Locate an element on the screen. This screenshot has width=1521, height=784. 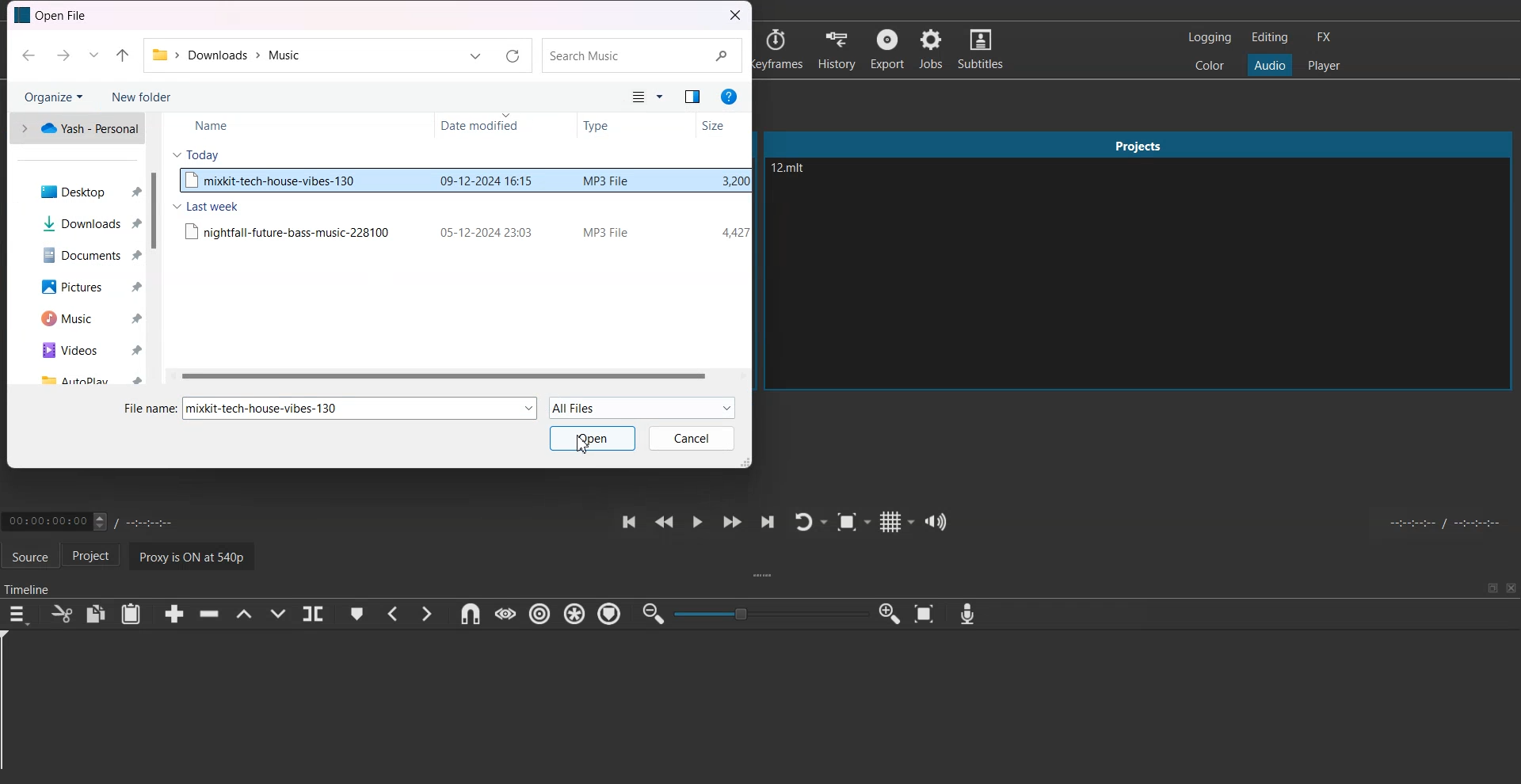
Cancel is located at coordinates (692, 438).